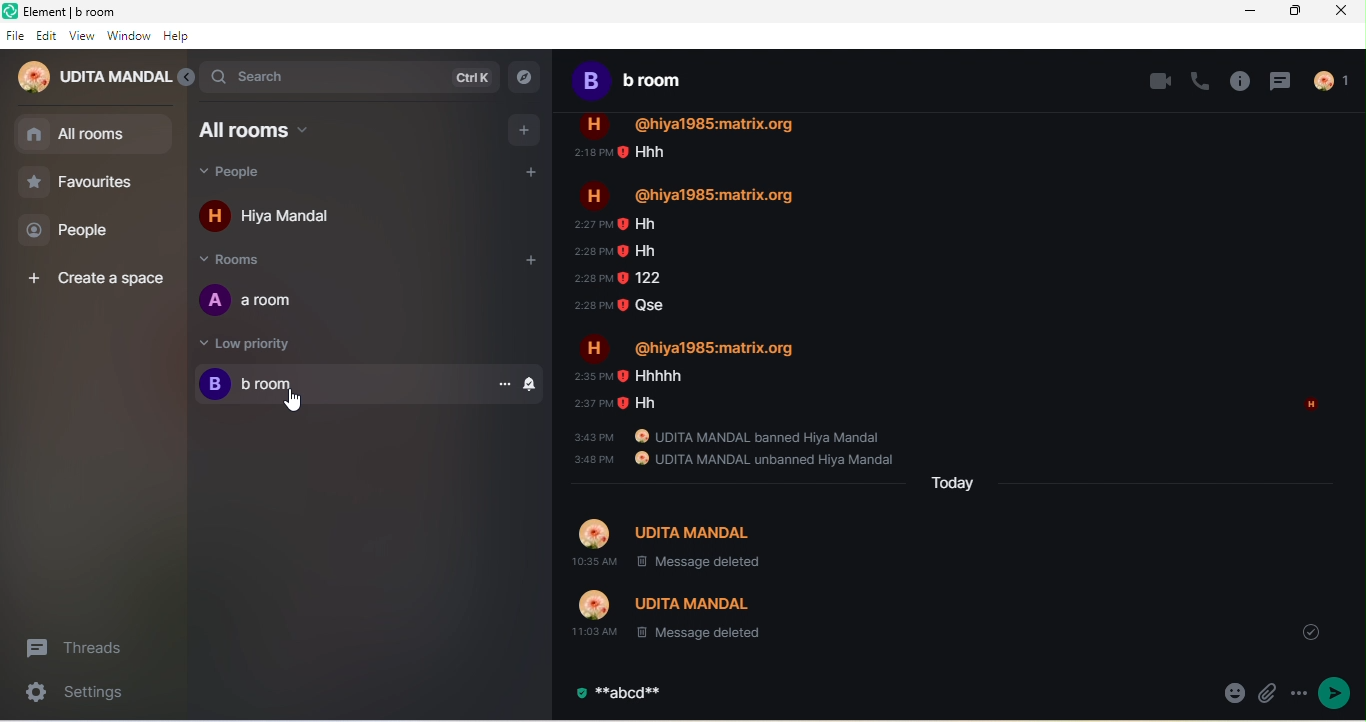 This screenshot has height=722, width=1366. I want to click on b room, so click(338, 385).